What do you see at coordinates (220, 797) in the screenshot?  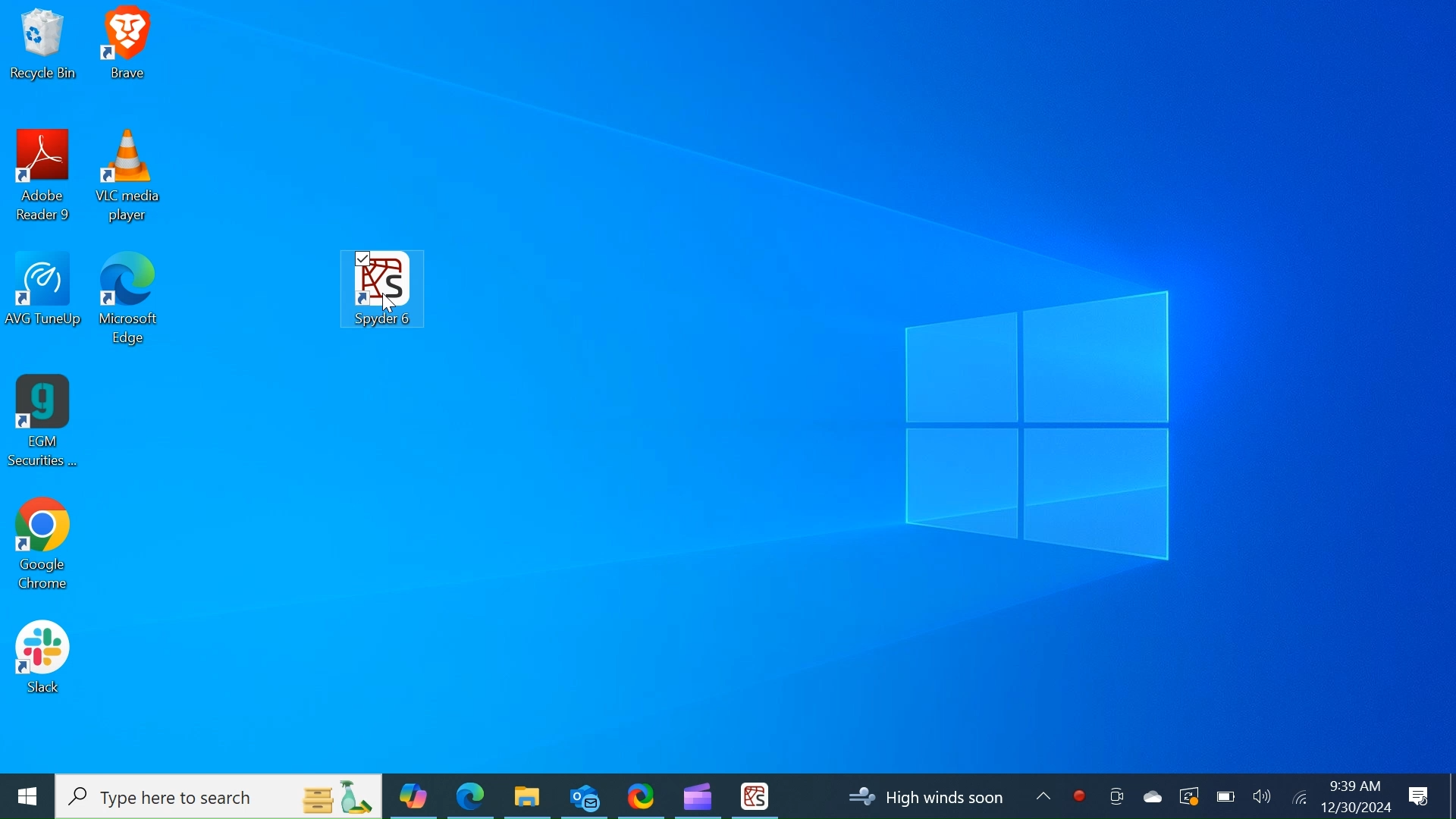 I see `type here to Search` at bounding box center [220, 797].